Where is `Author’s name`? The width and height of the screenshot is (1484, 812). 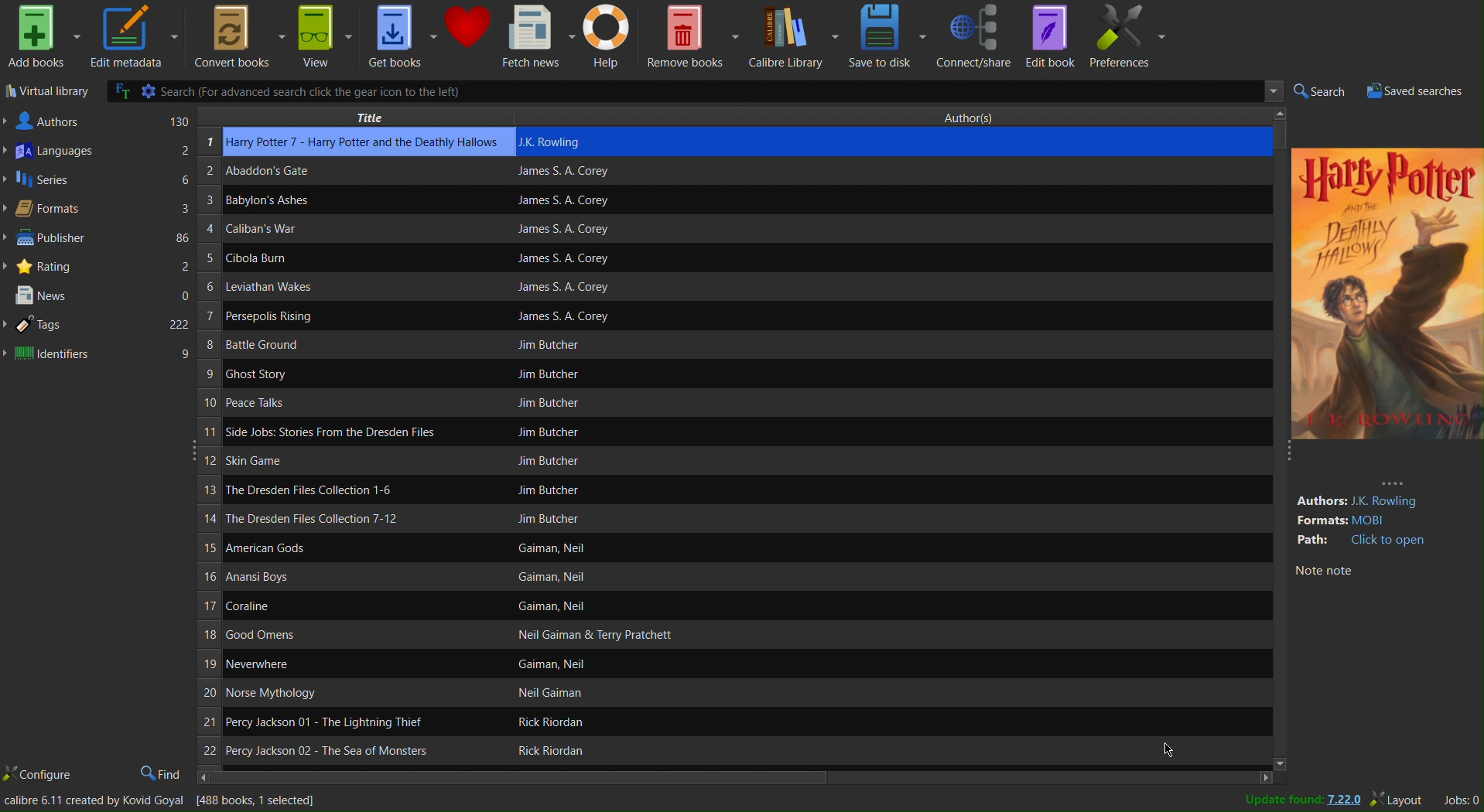
Author’s name is located at coordinates (684, 636).